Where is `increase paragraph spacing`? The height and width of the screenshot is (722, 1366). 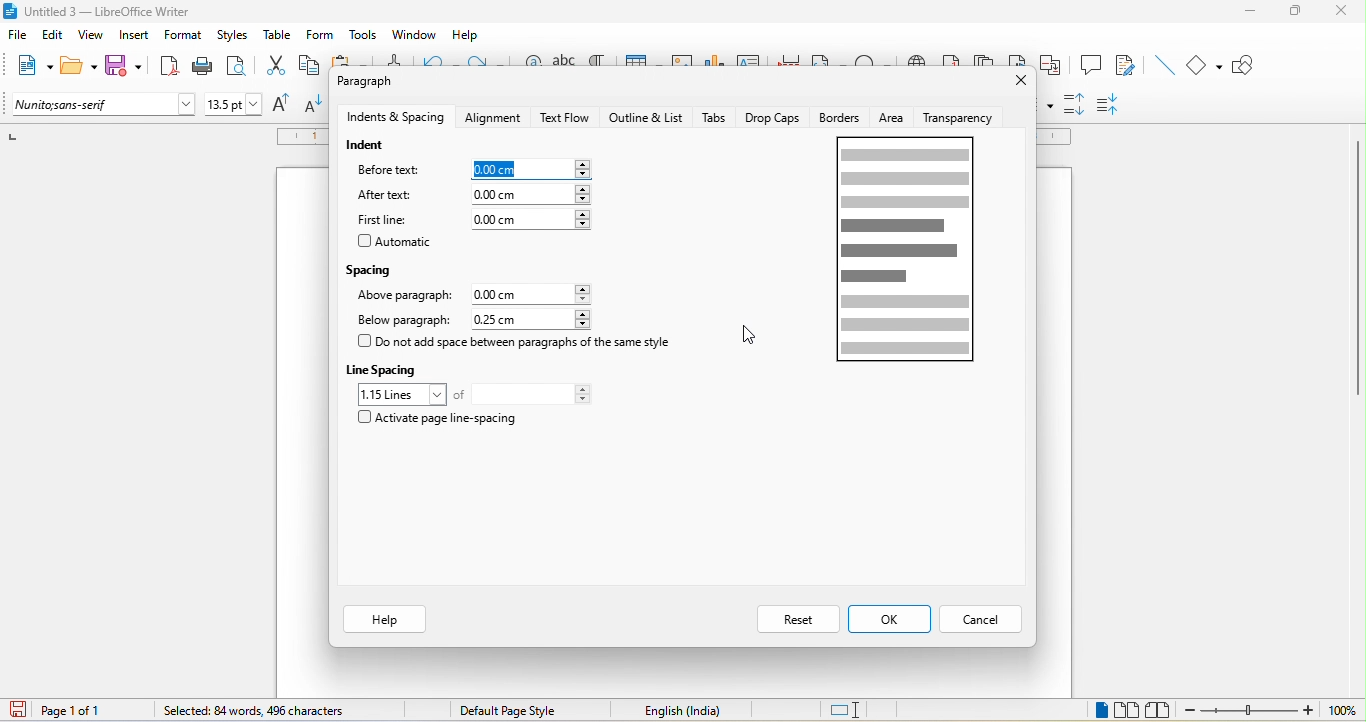 increase paragraph spacing is located at coordinates (1073, 102).